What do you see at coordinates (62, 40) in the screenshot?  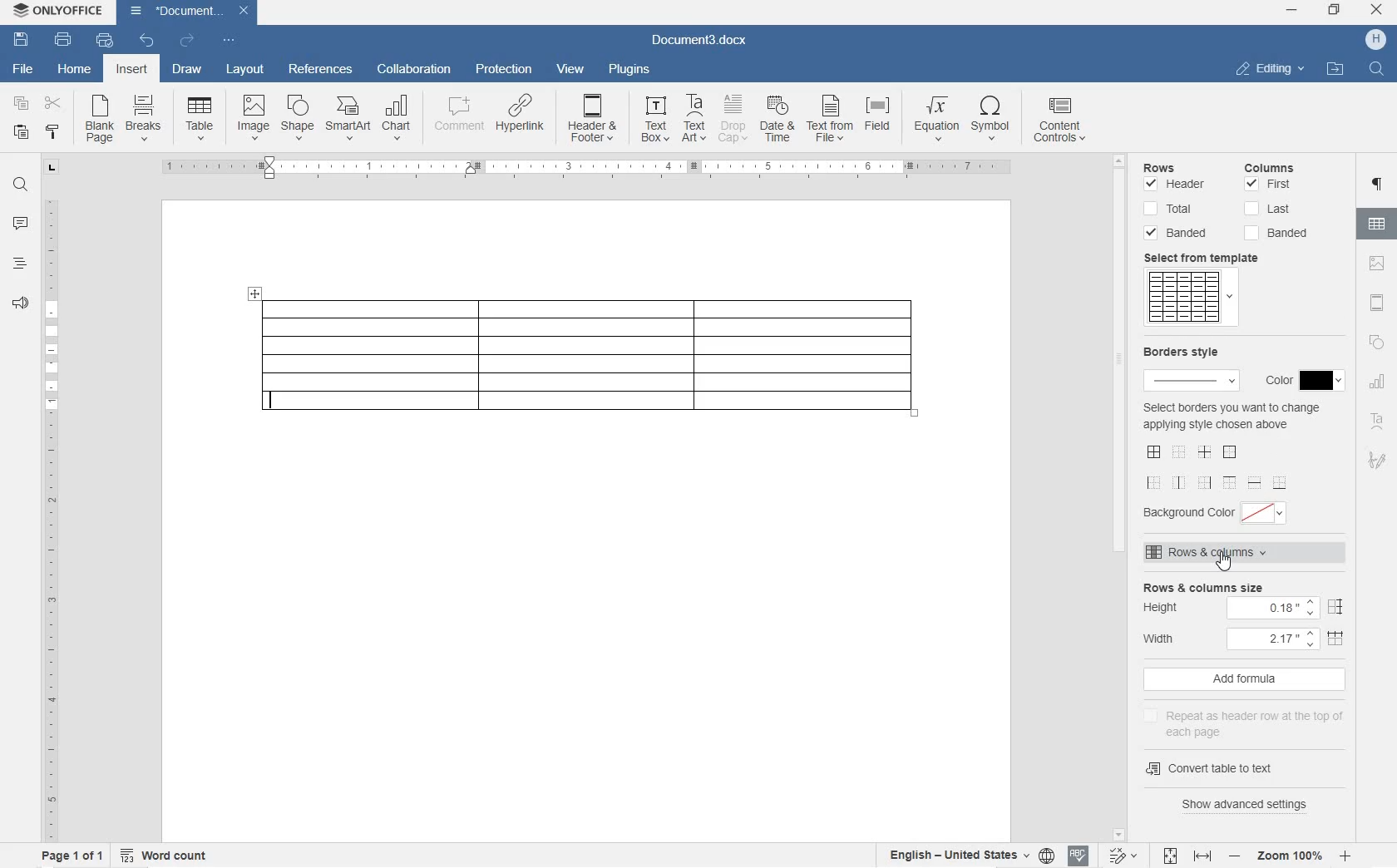 I see `PRINT` at bounding box center [62, 40].